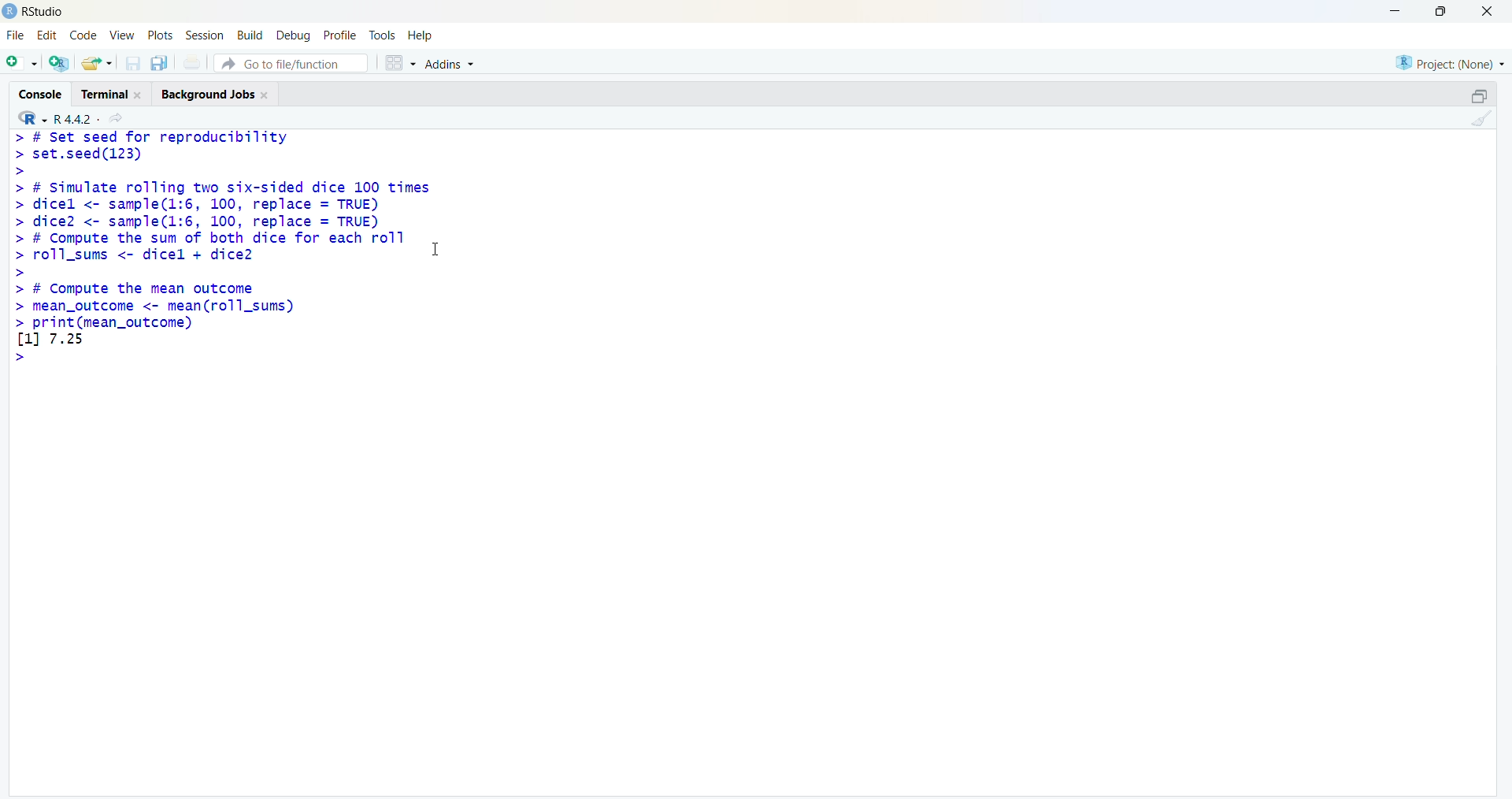  I want to click on tools, so click(383, 36).